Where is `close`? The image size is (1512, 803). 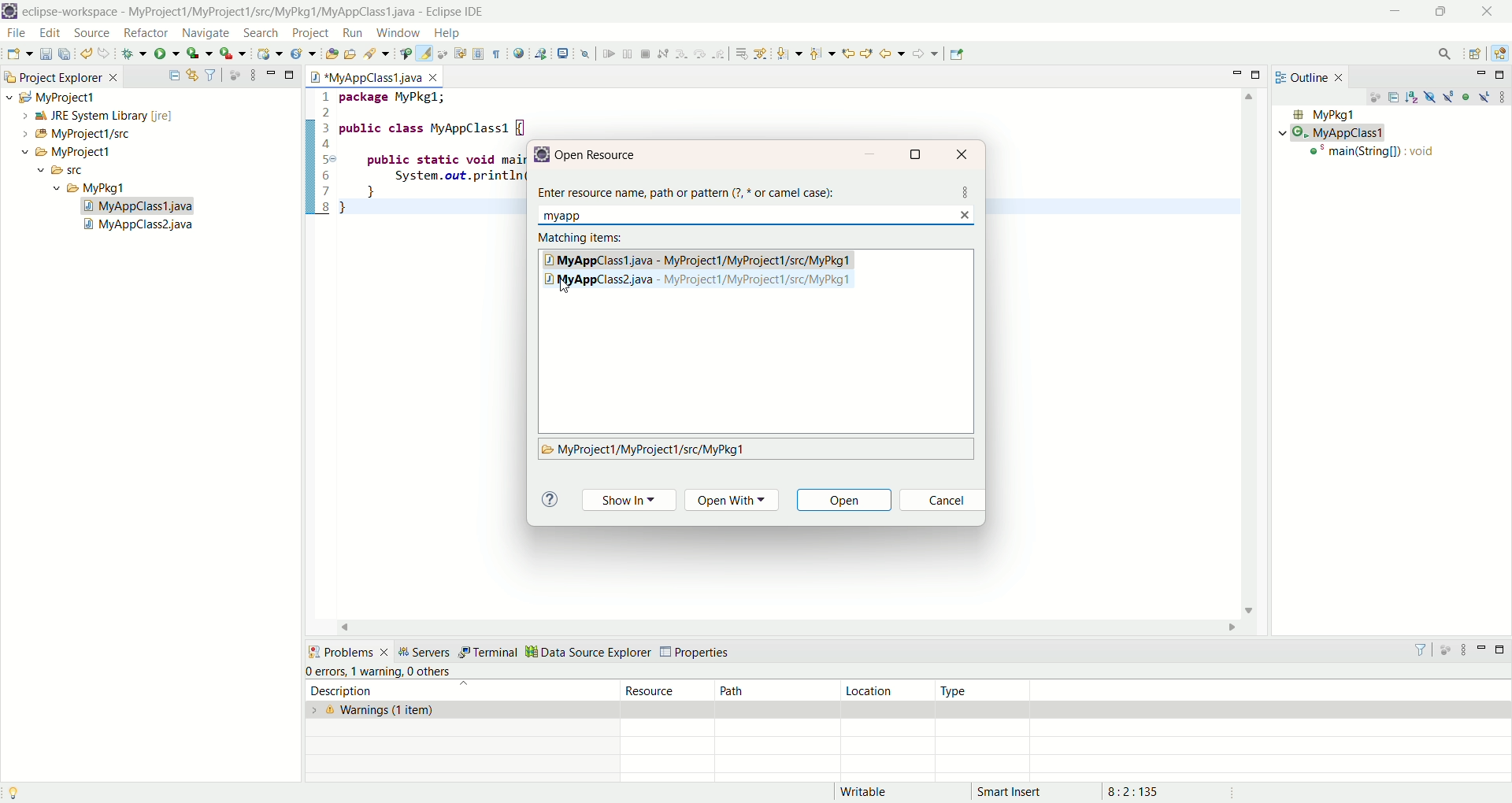 close is located at coordinates (965, 153).